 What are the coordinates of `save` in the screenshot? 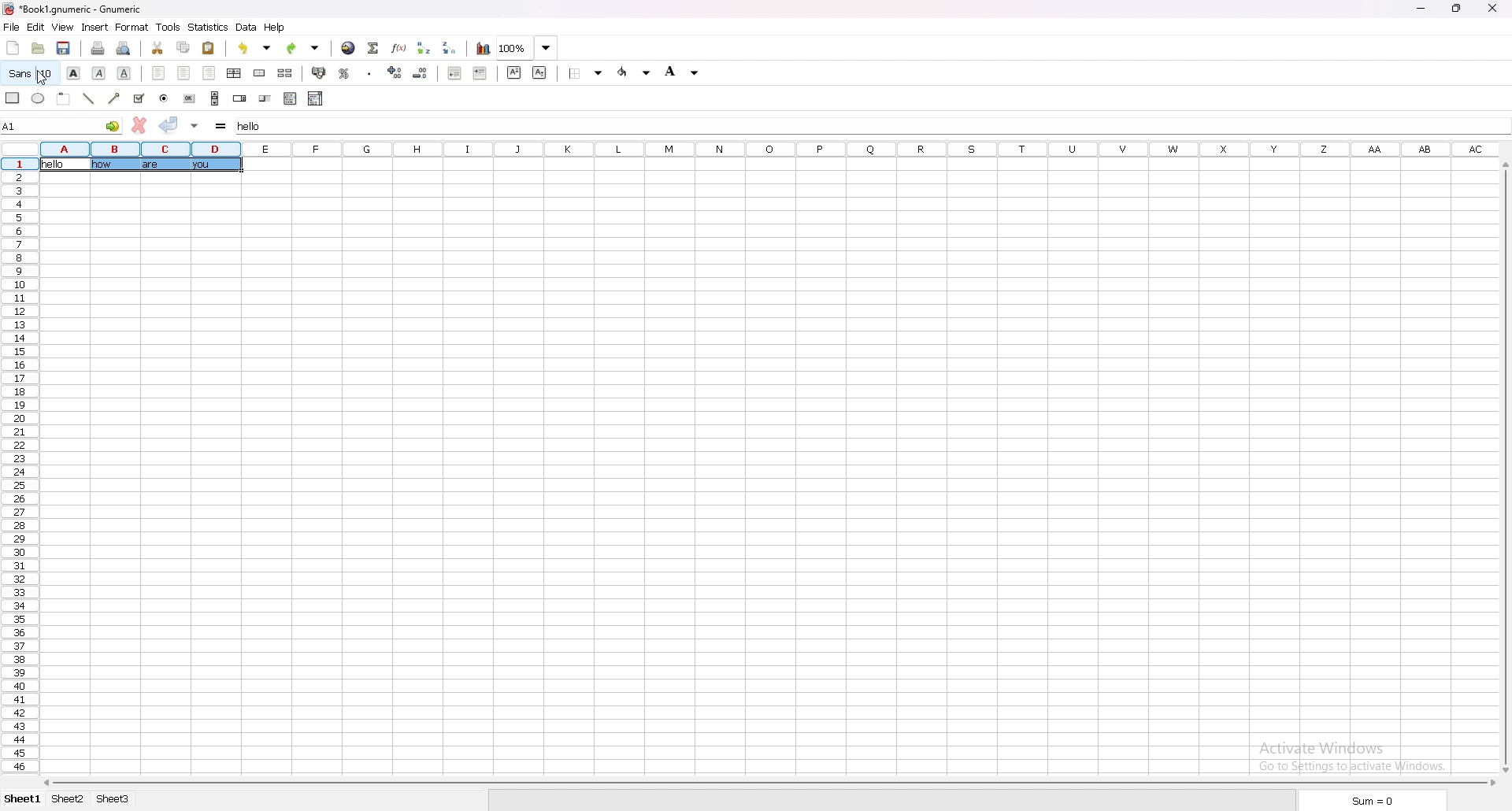 It's located at (65, 48).